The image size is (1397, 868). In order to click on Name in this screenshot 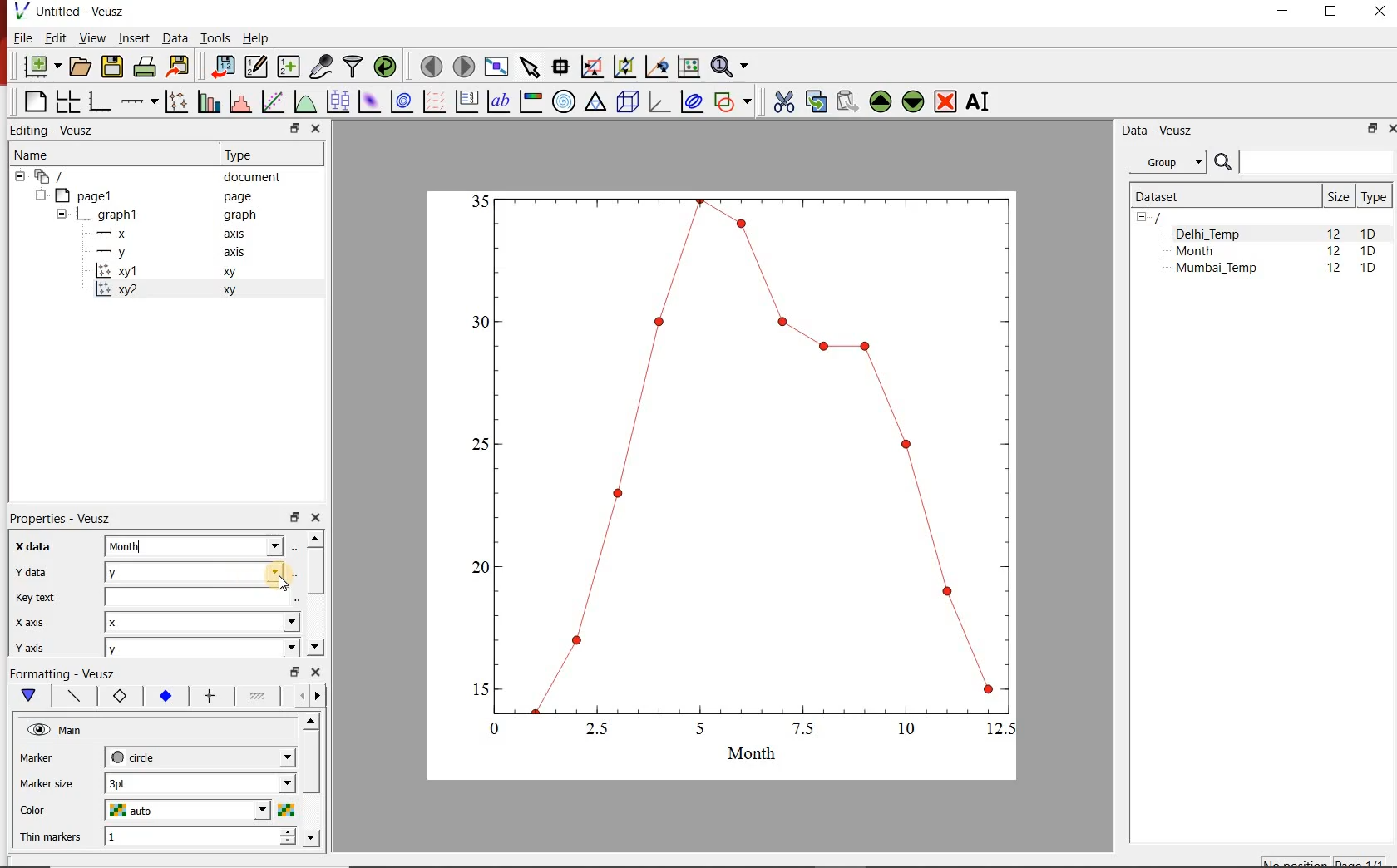, I will do `click(33, 154)`.